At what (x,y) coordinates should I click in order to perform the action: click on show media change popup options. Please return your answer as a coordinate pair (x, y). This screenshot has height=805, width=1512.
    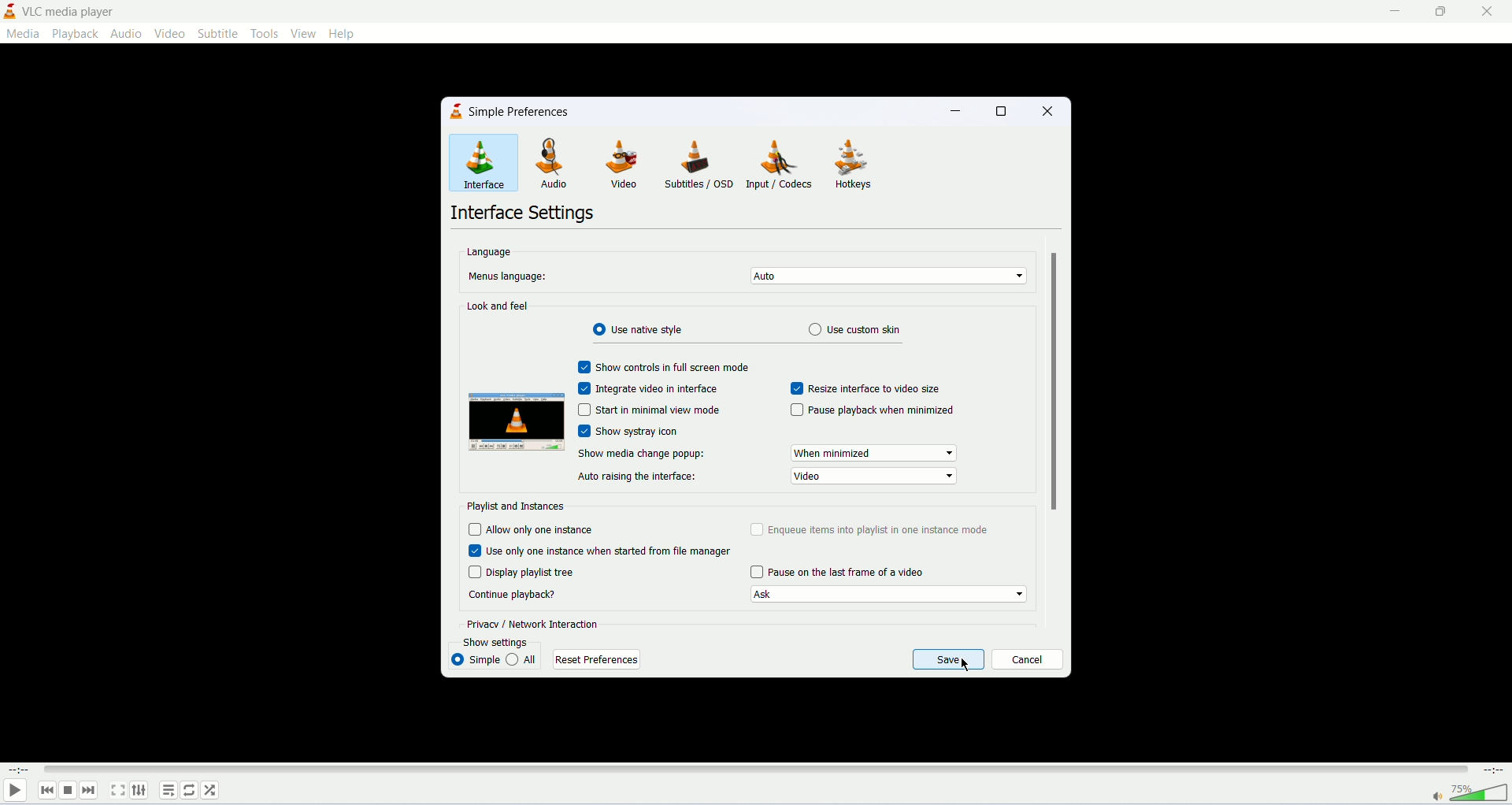
    Looking at the image, I should click on (872, 477).